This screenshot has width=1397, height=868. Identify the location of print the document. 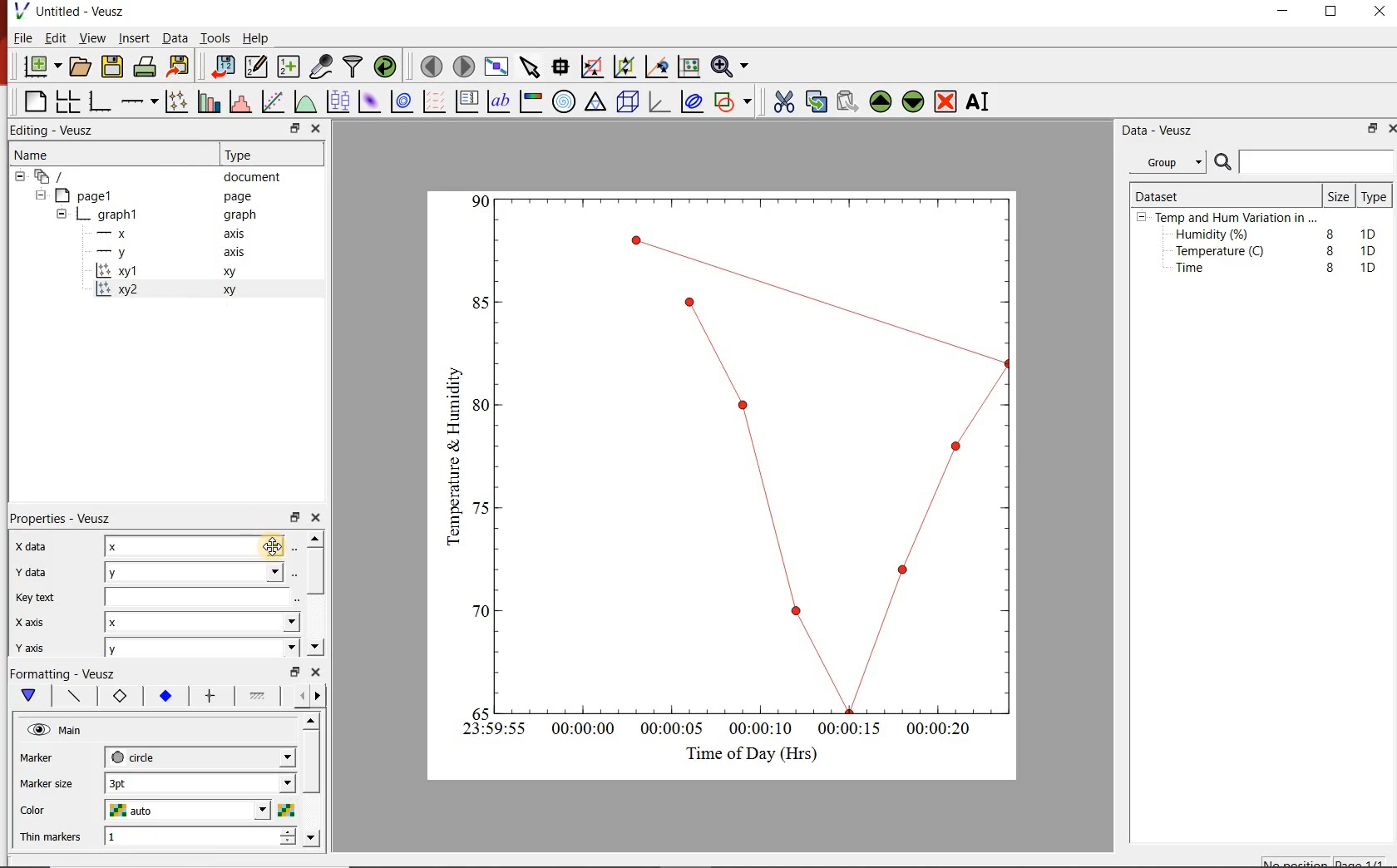
(146, 69).